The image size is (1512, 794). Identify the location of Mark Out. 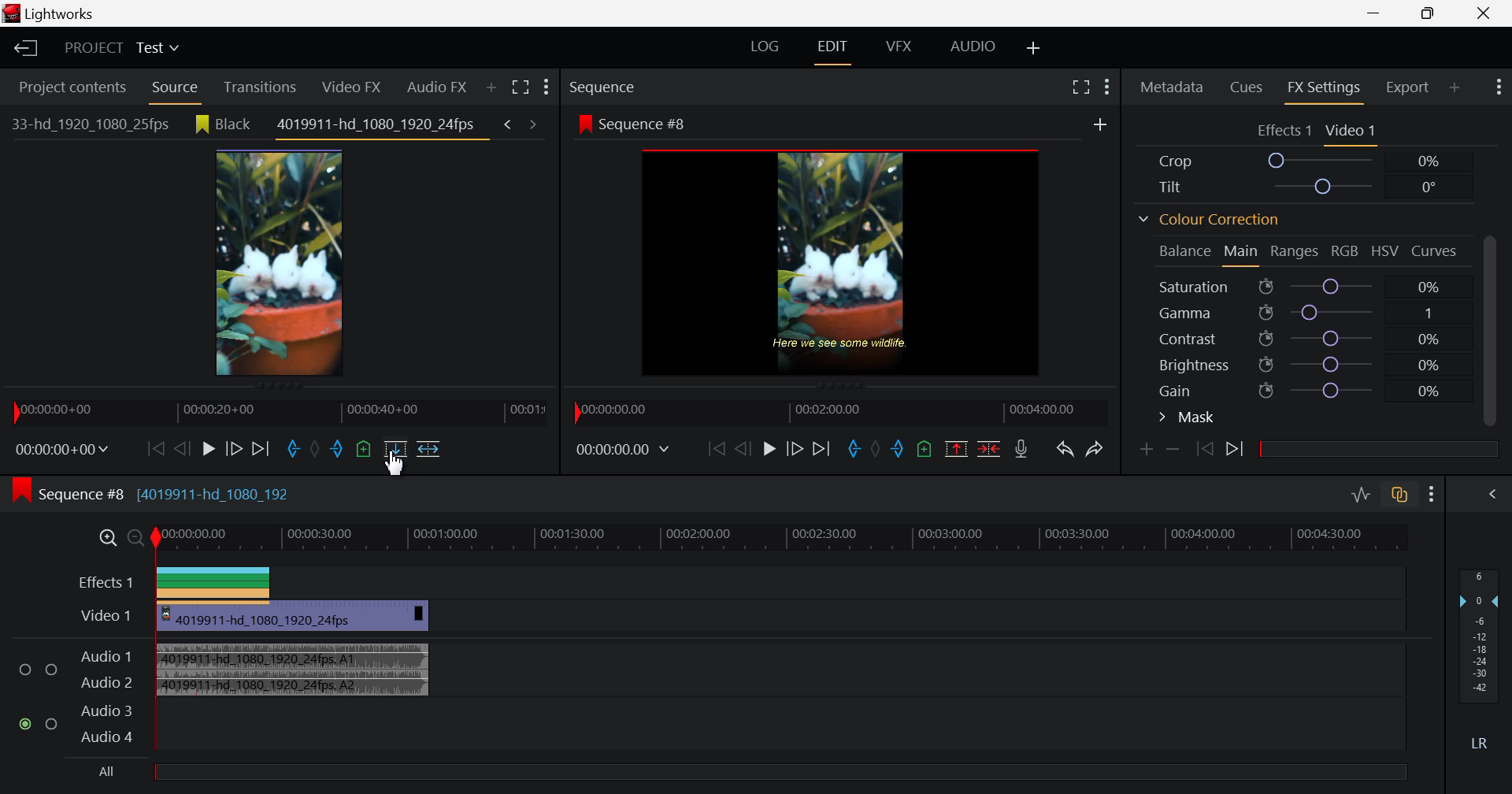
(899, 451).